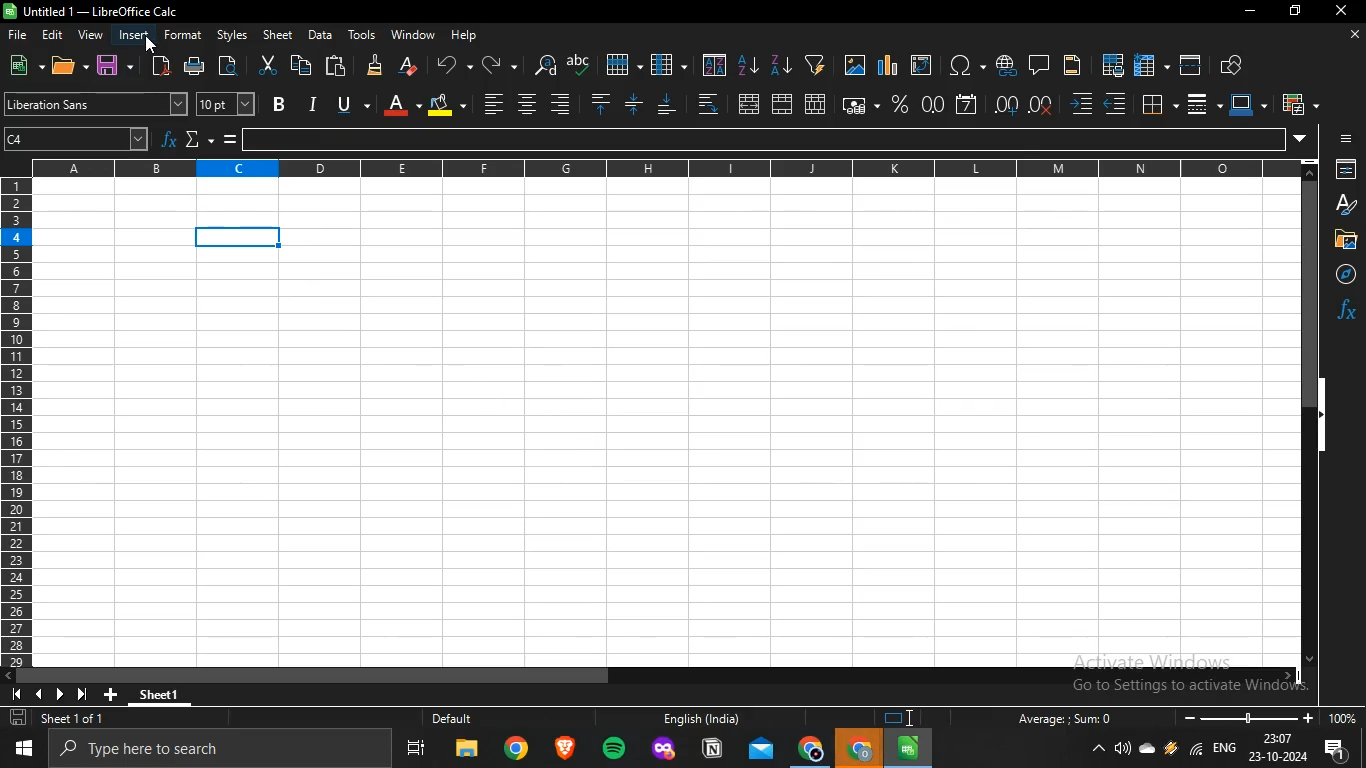  Describe the element at coordinates (1349, 138) in the screenshot. I see `` at that location.